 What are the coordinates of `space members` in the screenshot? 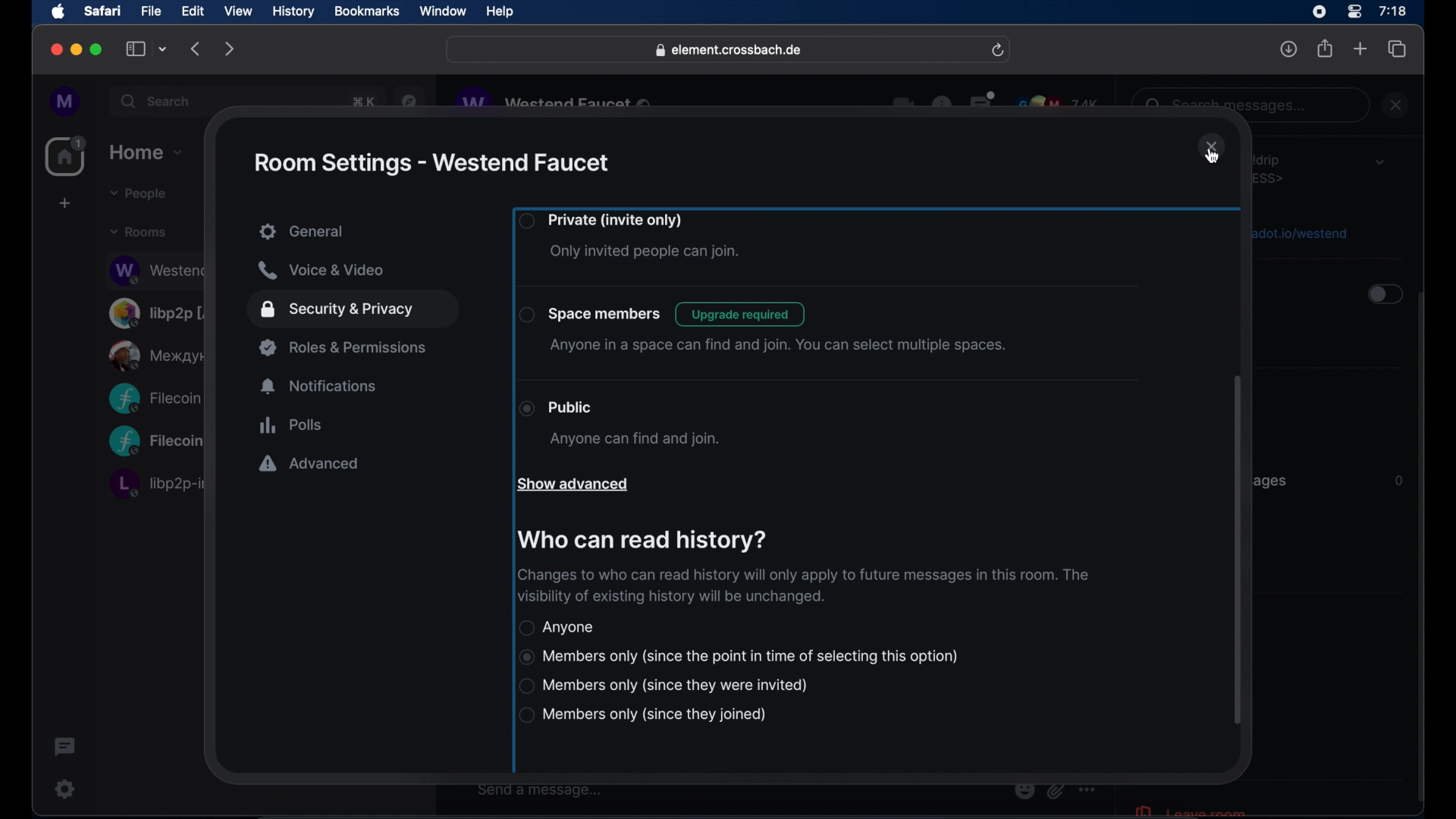 It's located at (763, 329).